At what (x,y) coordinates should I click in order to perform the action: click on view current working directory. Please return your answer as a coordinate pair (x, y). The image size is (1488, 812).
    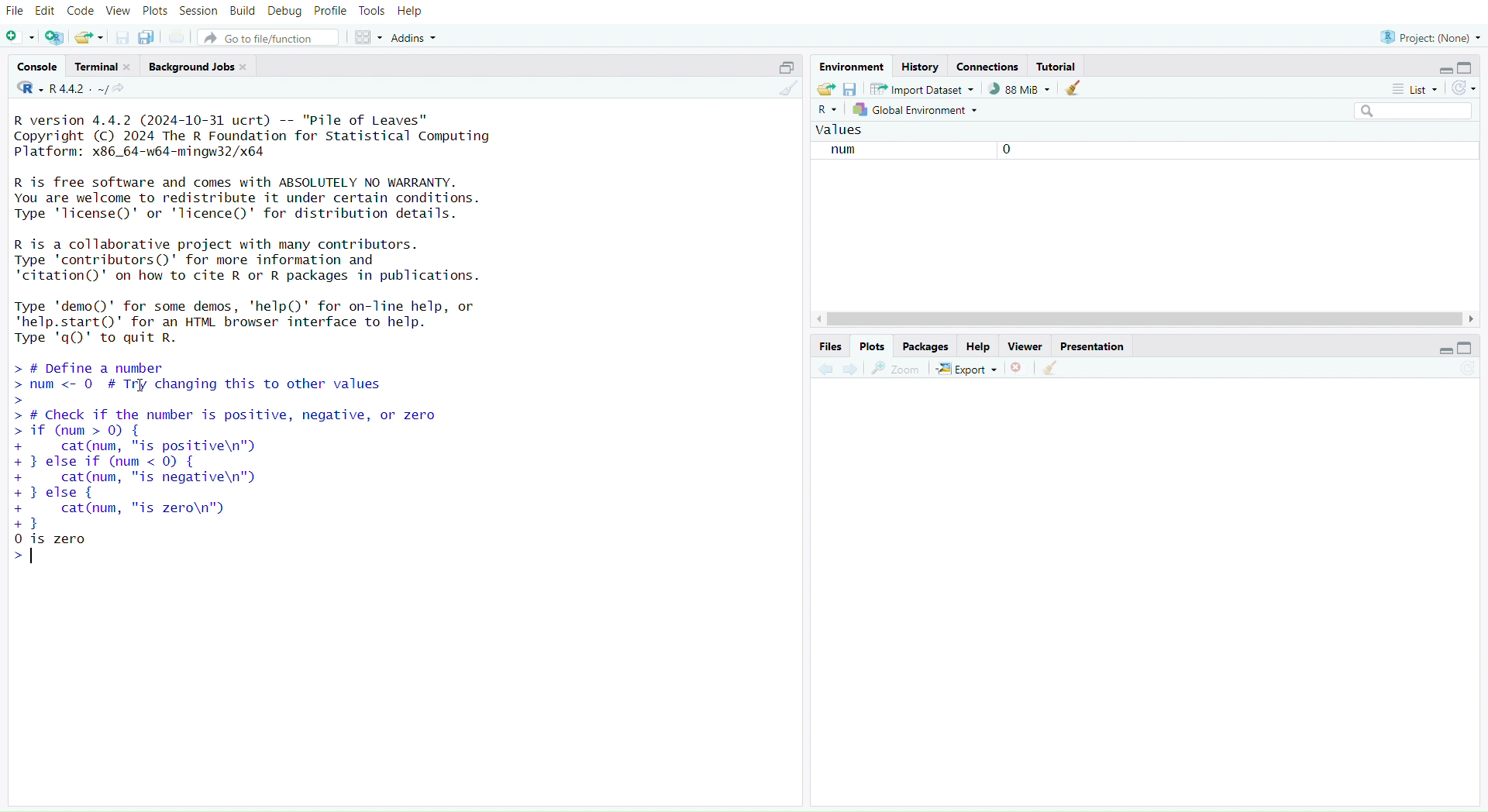
    Looking at the image, I should click on (122, 89).